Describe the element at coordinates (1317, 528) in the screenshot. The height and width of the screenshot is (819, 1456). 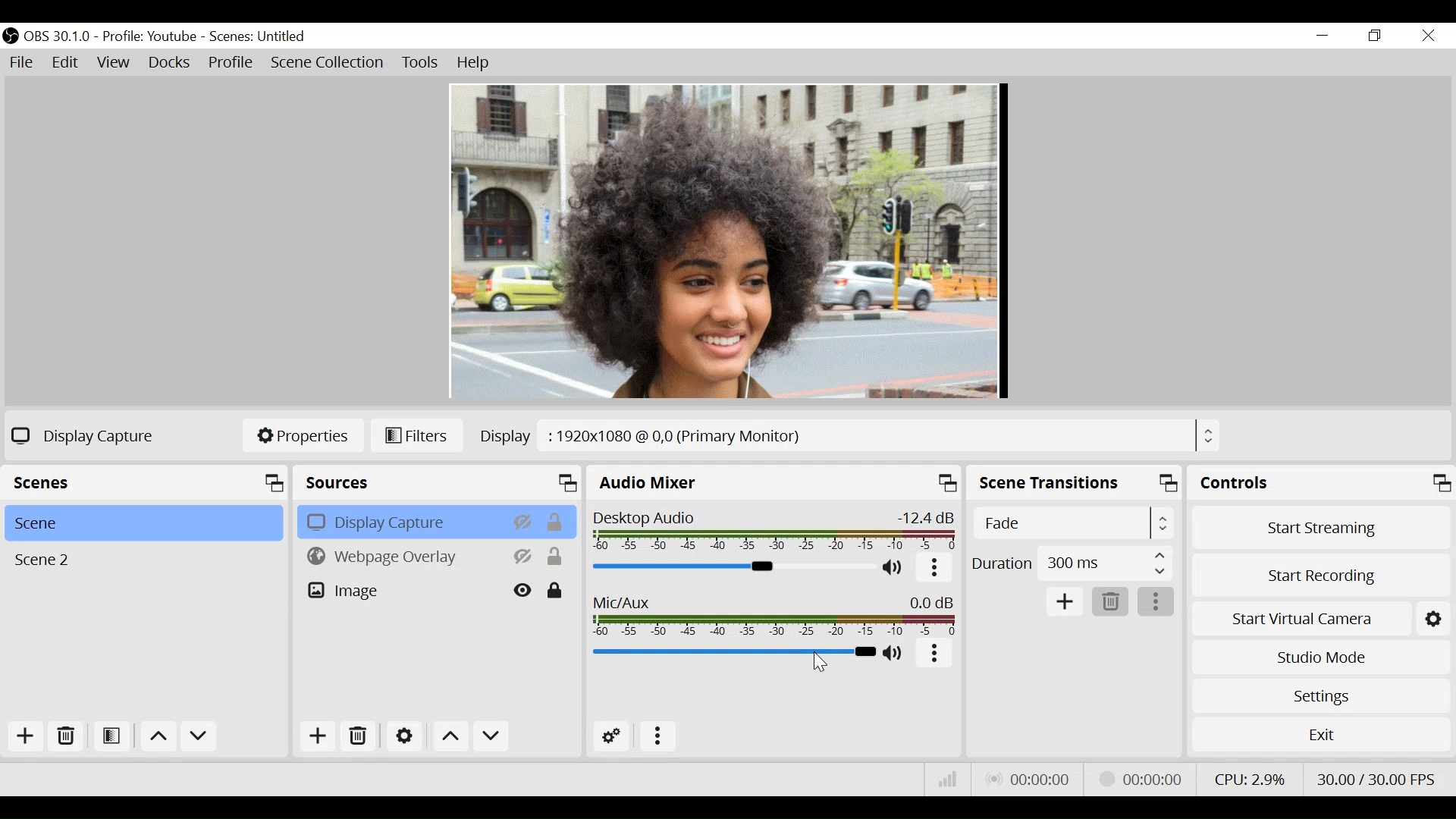
I see `Start Streaming` at that location.